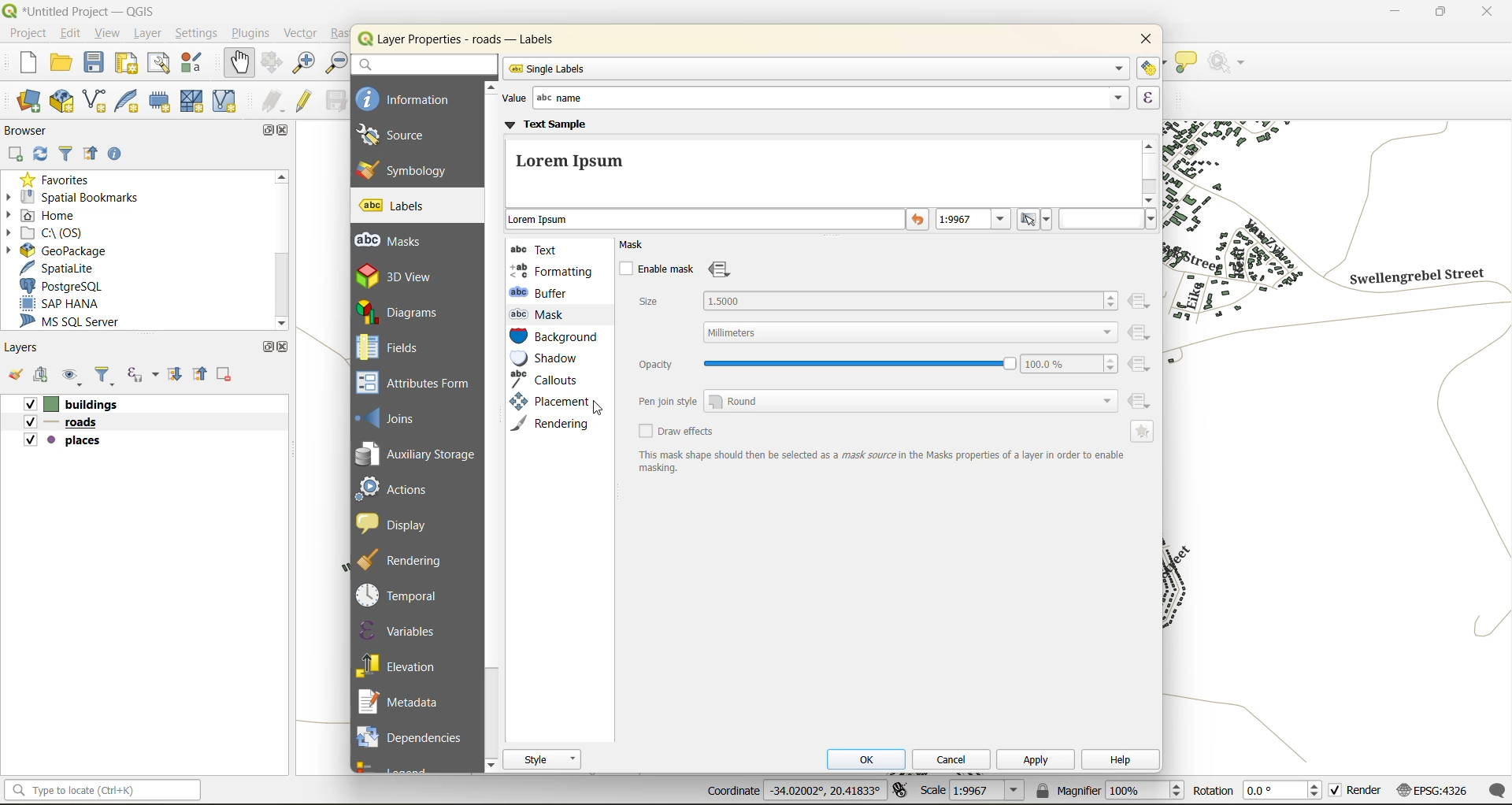 This screenshot has width=1512, height=805. Describe the element at coordinates (876, 400) in the screenshot. I see `pen join style` at that location.